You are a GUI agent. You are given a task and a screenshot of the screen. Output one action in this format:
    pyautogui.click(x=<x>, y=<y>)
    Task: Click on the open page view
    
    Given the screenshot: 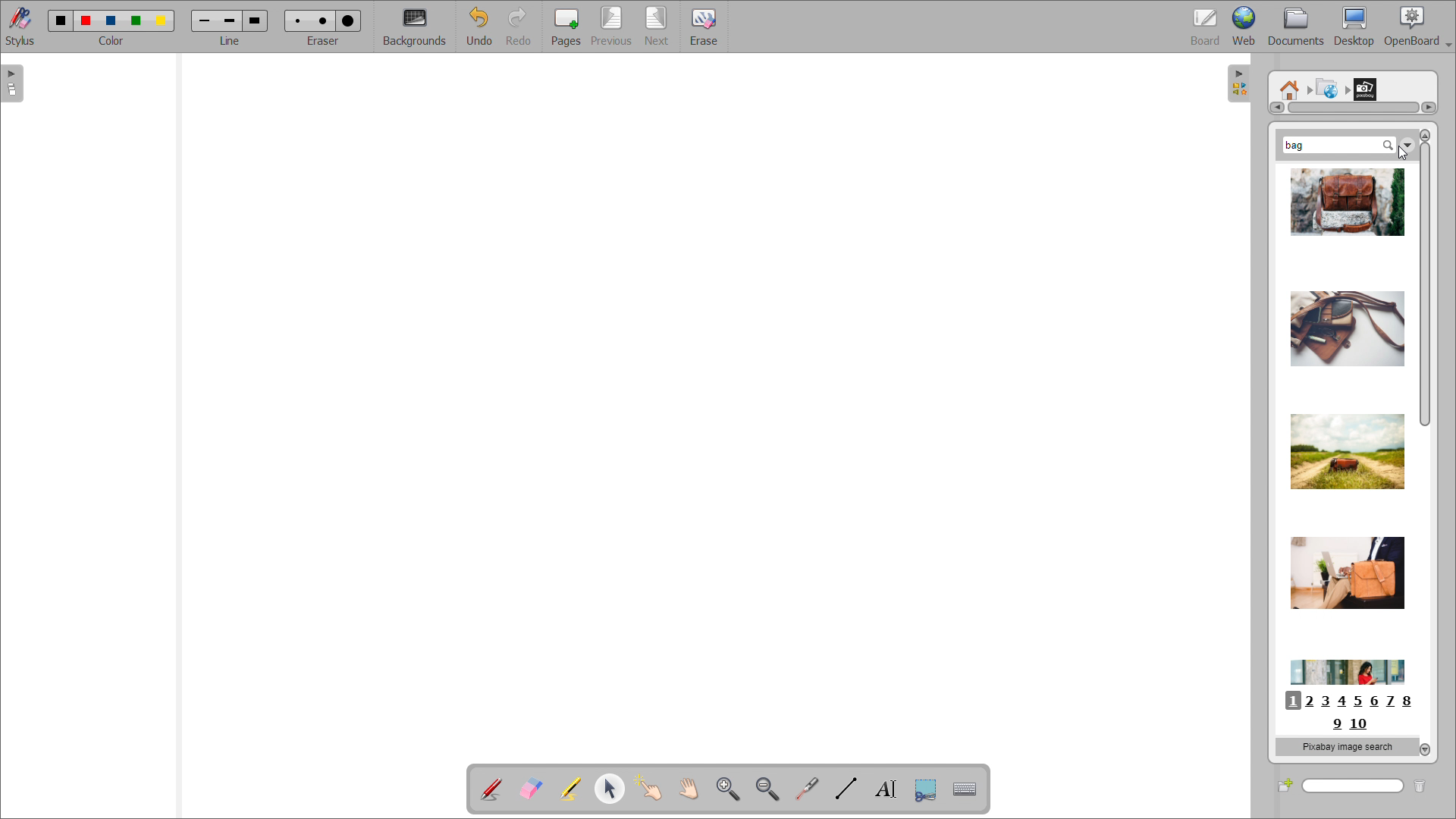 What is the action you would take?
    pyautogui.click(x=12, y=83)
    